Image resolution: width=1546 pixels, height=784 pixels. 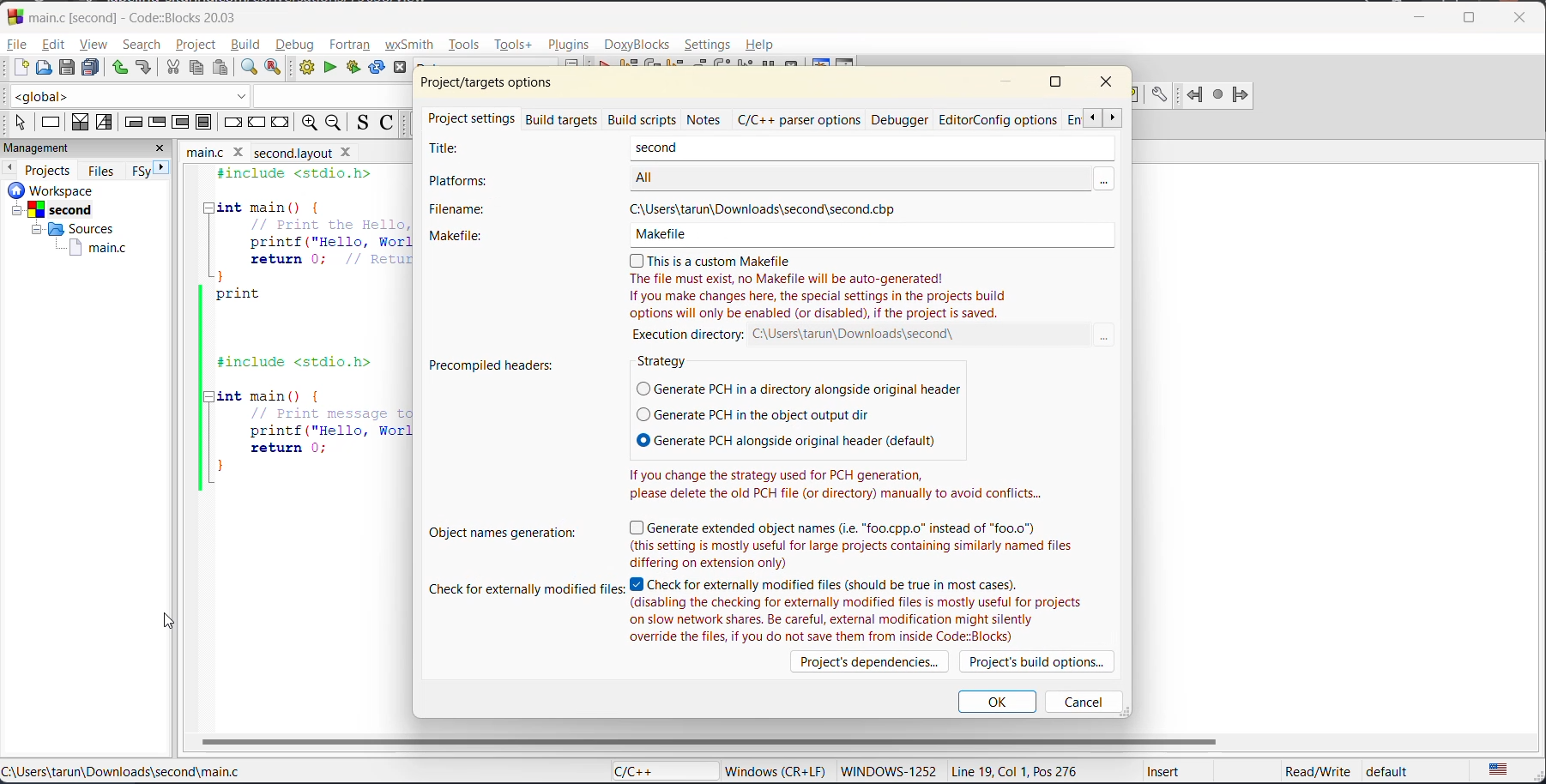 What do you see at coordinates (106, 124) in the screenshot?
I see `selection` at bounding box center [106, 124].